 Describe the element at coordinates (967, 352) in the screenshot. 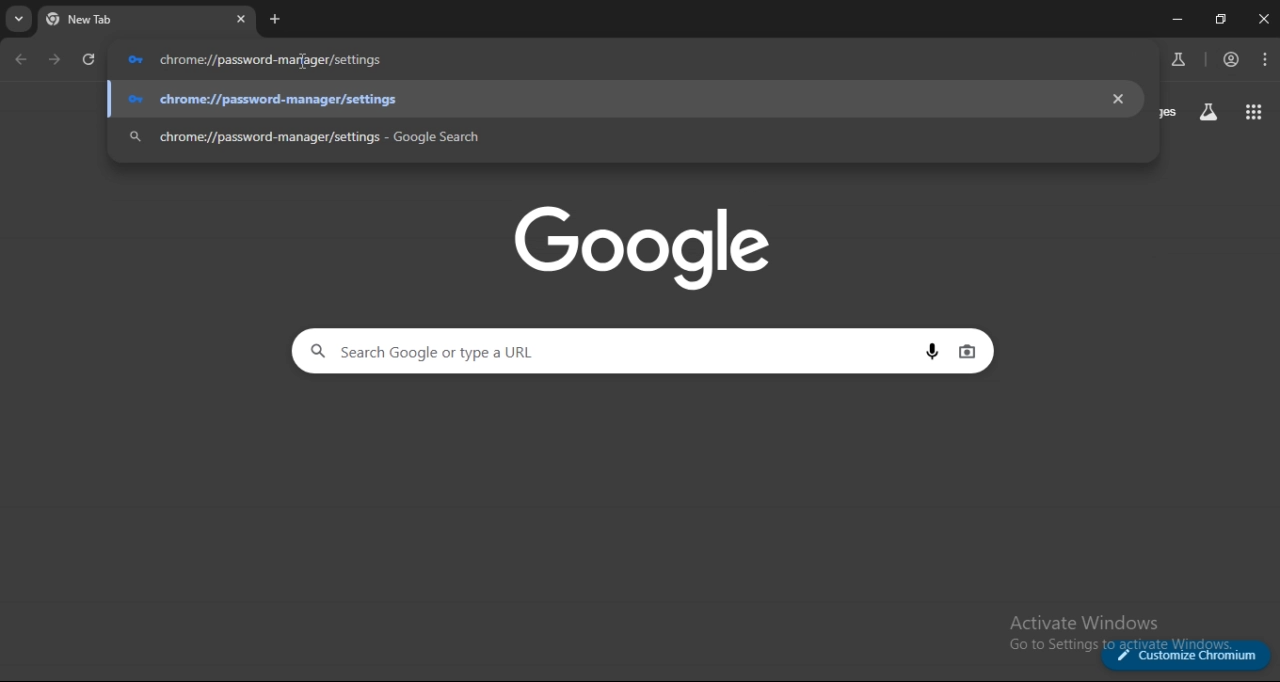

I see `image search` at that location.